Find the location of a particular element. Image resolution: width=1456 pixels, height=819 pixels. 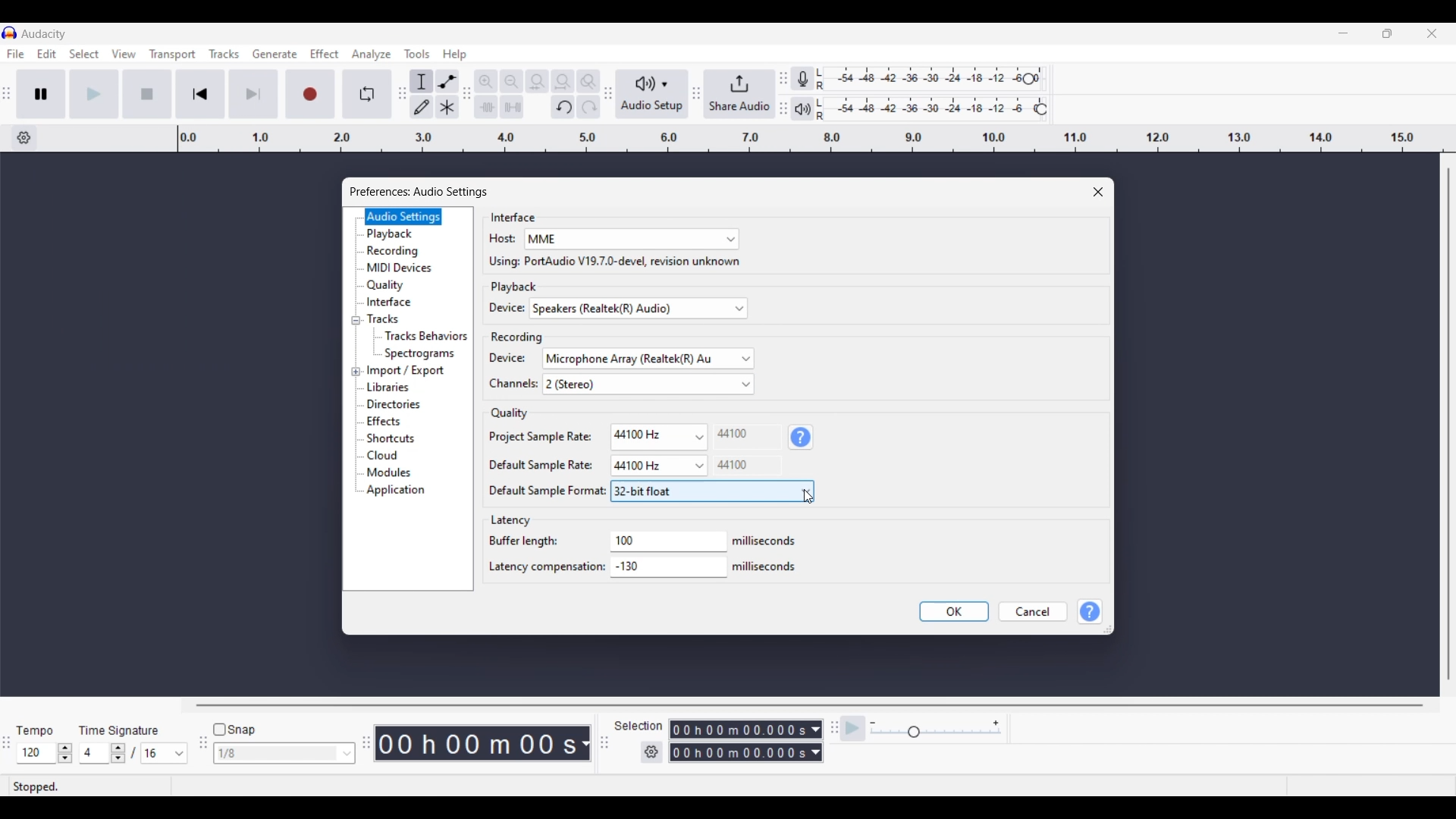

Cancel inputs made is located at coordinates (1033, 612).